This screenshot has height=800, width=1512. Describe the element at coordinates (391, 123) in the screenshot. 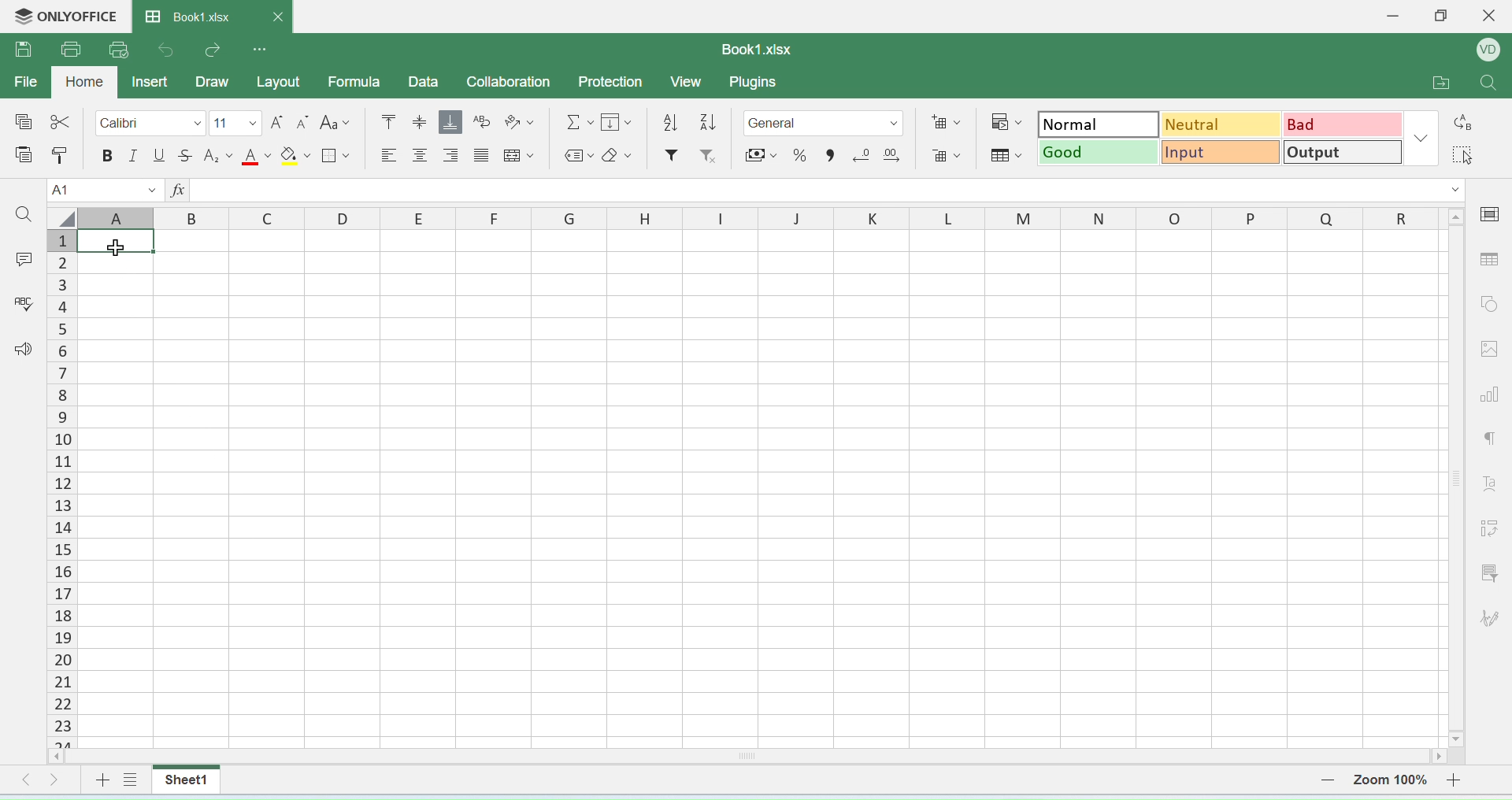

I see `mo` at that location.